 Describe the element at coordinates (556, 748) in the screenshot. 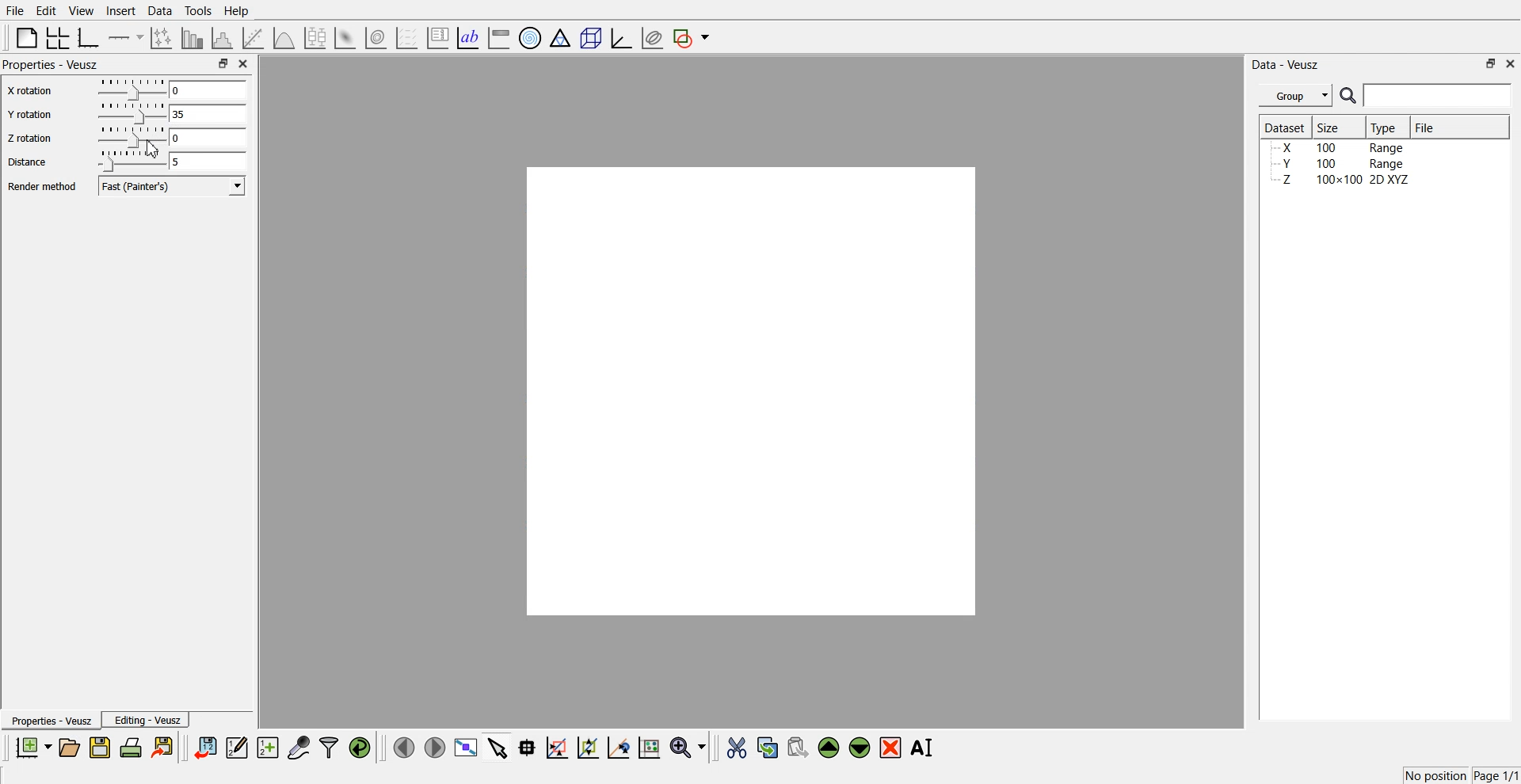

I see `Draw a rectangle to zoom graph axes` at that location.